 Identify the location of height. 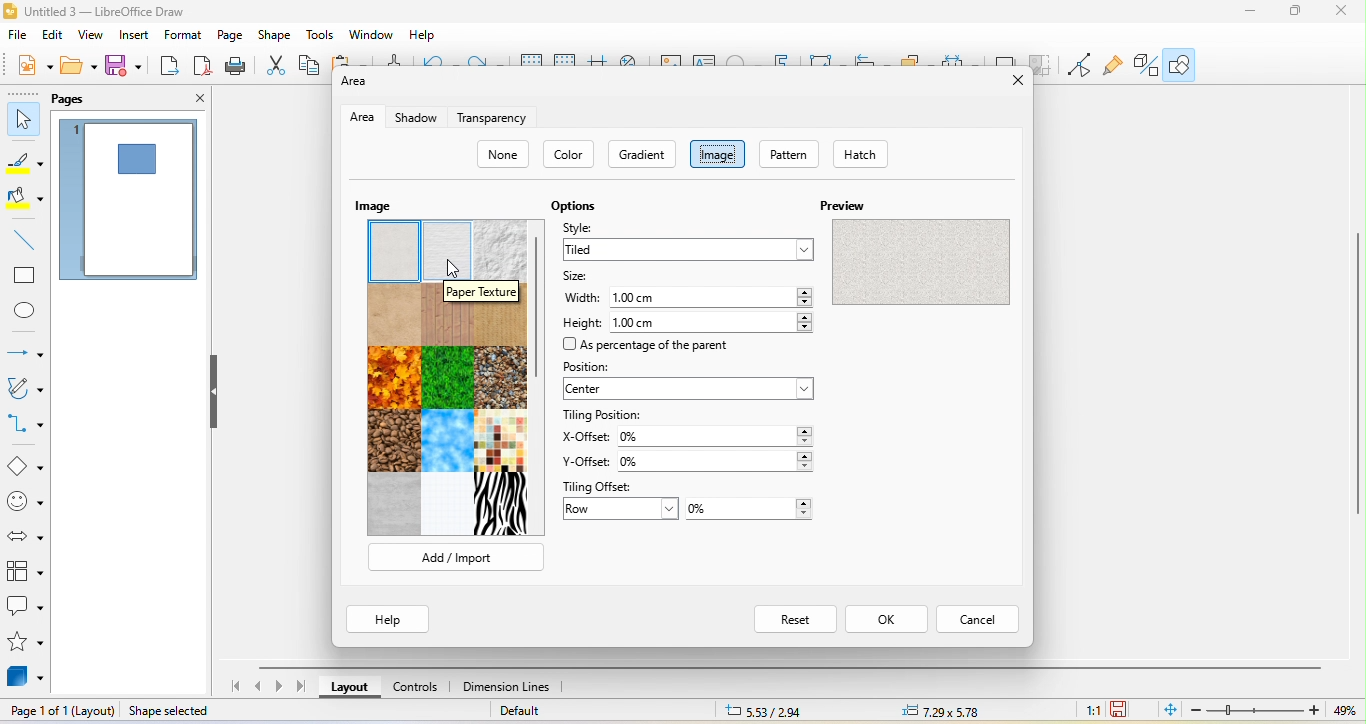
(583, 321).